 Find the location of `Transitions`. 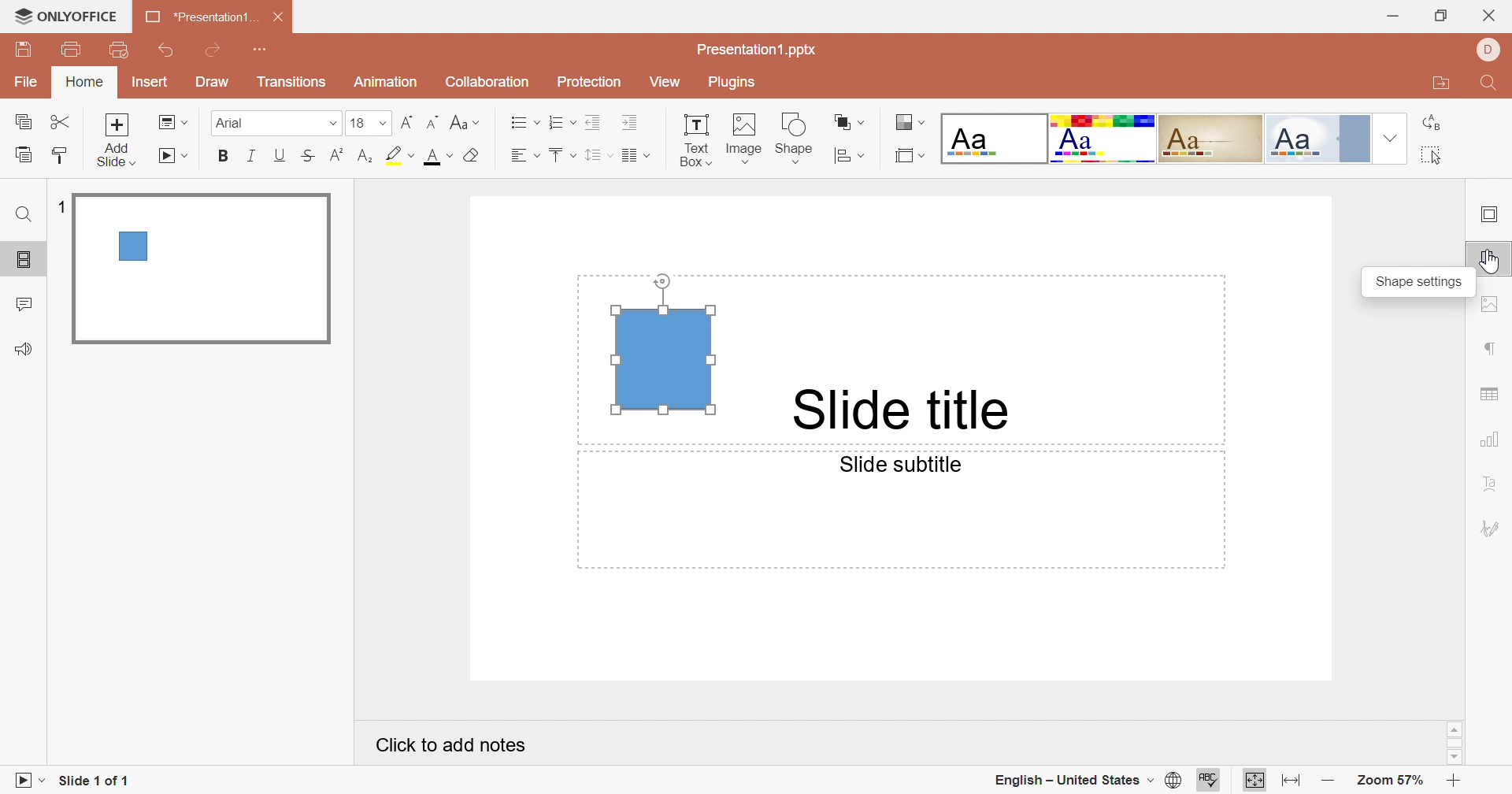

Transitions is located at coordinates (295, 84).